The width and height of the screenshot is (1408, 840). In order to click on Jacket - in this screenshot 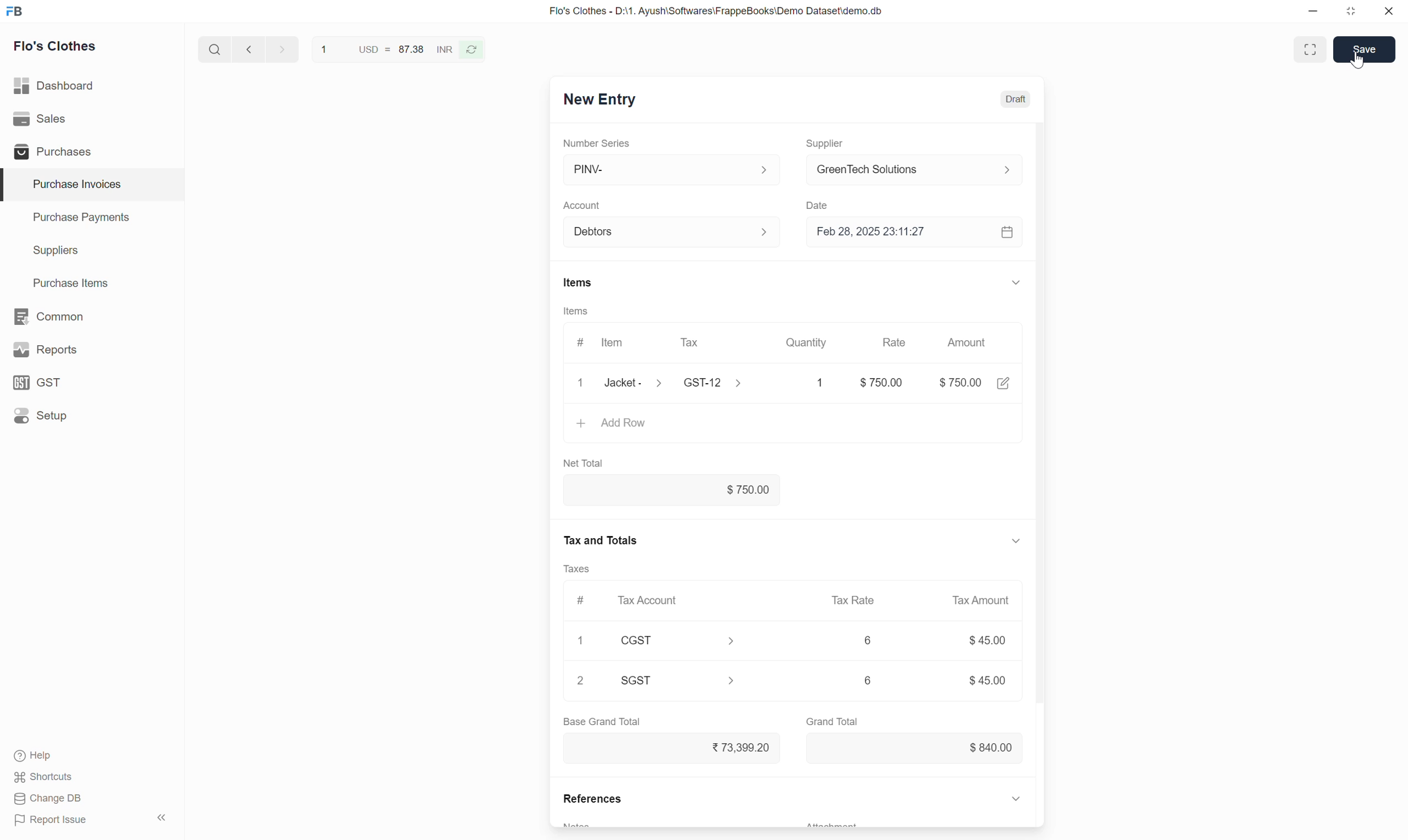, I will do `click(636, 383)`.